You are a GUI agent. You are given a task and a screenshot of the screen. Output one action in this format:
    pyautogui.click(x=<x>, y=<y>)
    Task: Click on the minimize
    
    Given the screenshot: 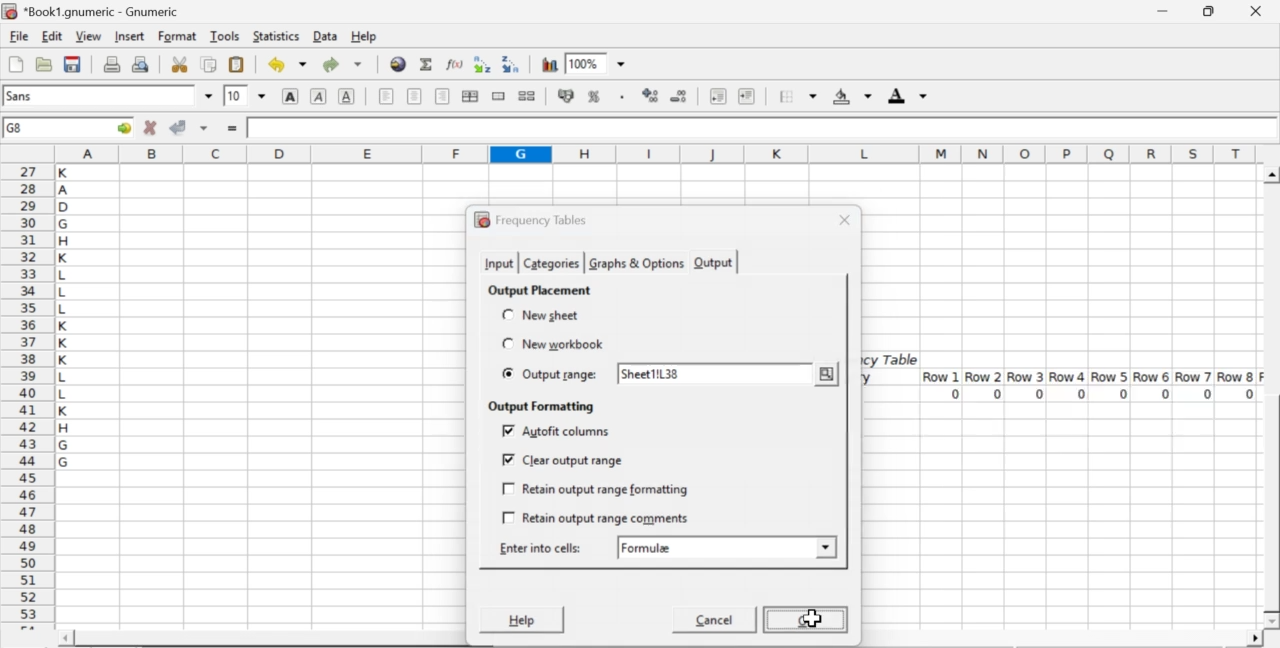 What is the action you would take?
    pyautogui.click(x=1164, y=11)
    